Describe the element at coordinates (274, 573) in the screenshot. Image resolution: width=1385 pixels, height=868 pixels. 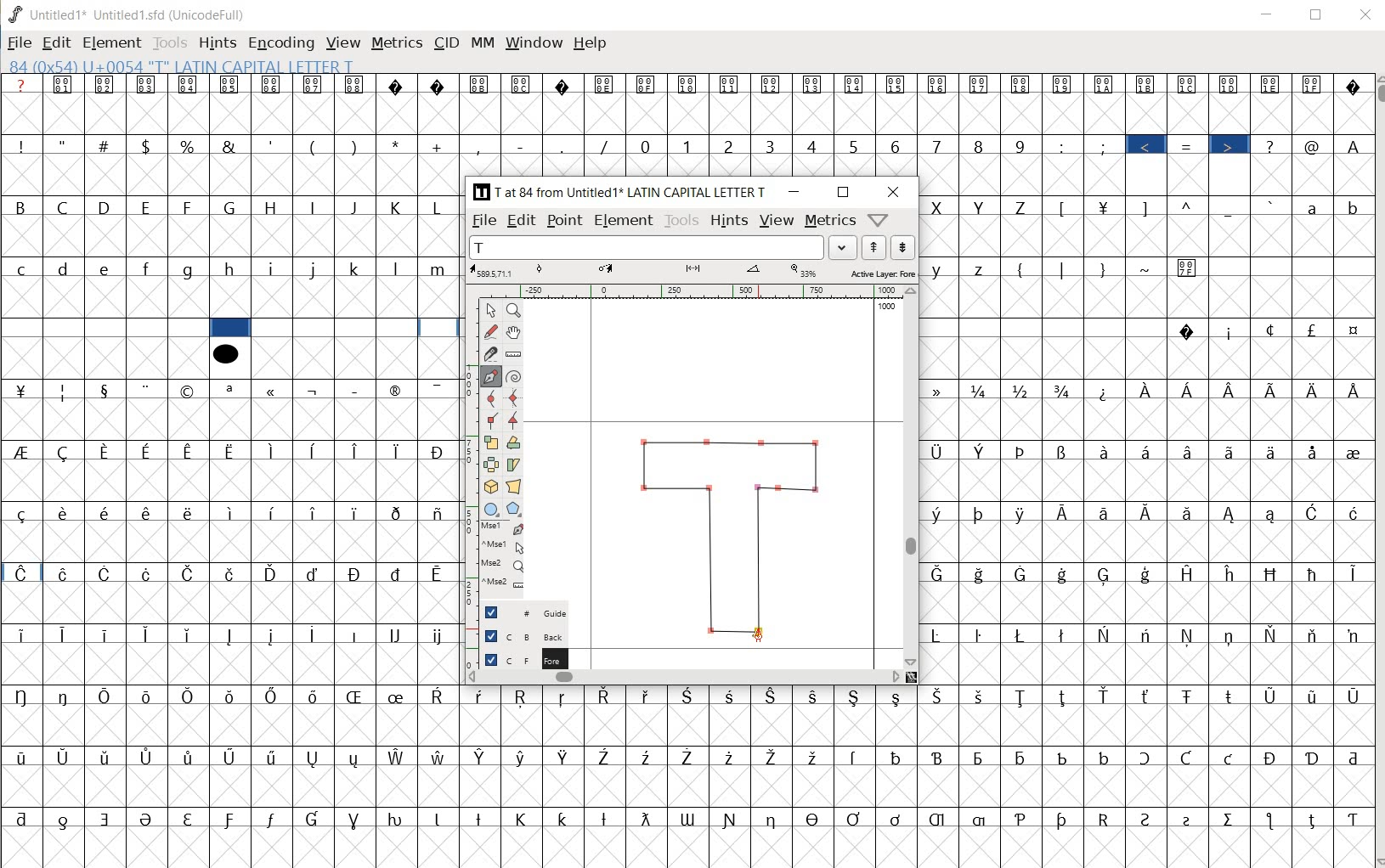
I see `Symbol` at that location.